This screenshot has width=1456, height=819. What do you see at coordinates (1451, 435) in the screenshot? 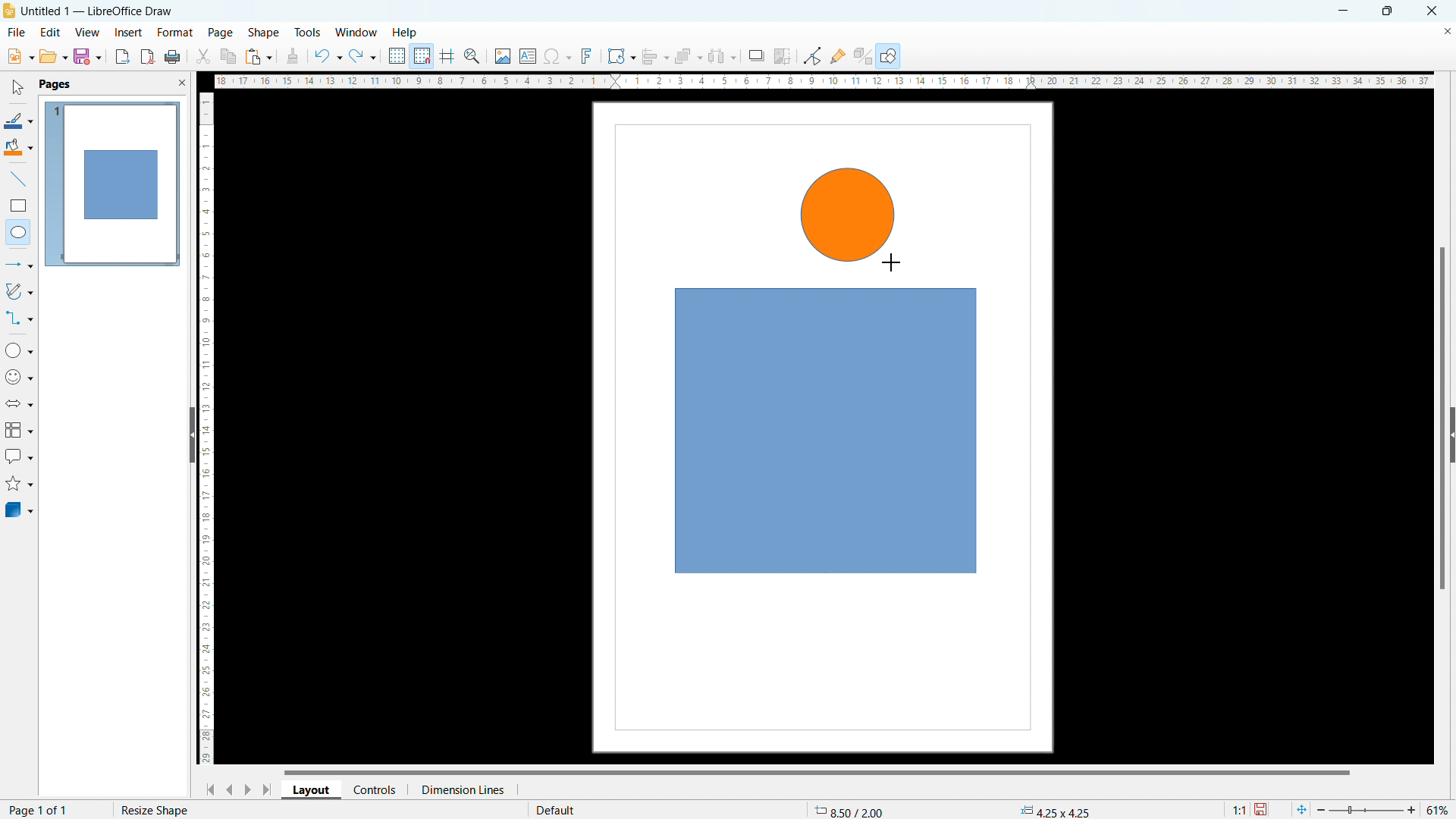
I see `expand pane` at bounding box center [1451, 435].